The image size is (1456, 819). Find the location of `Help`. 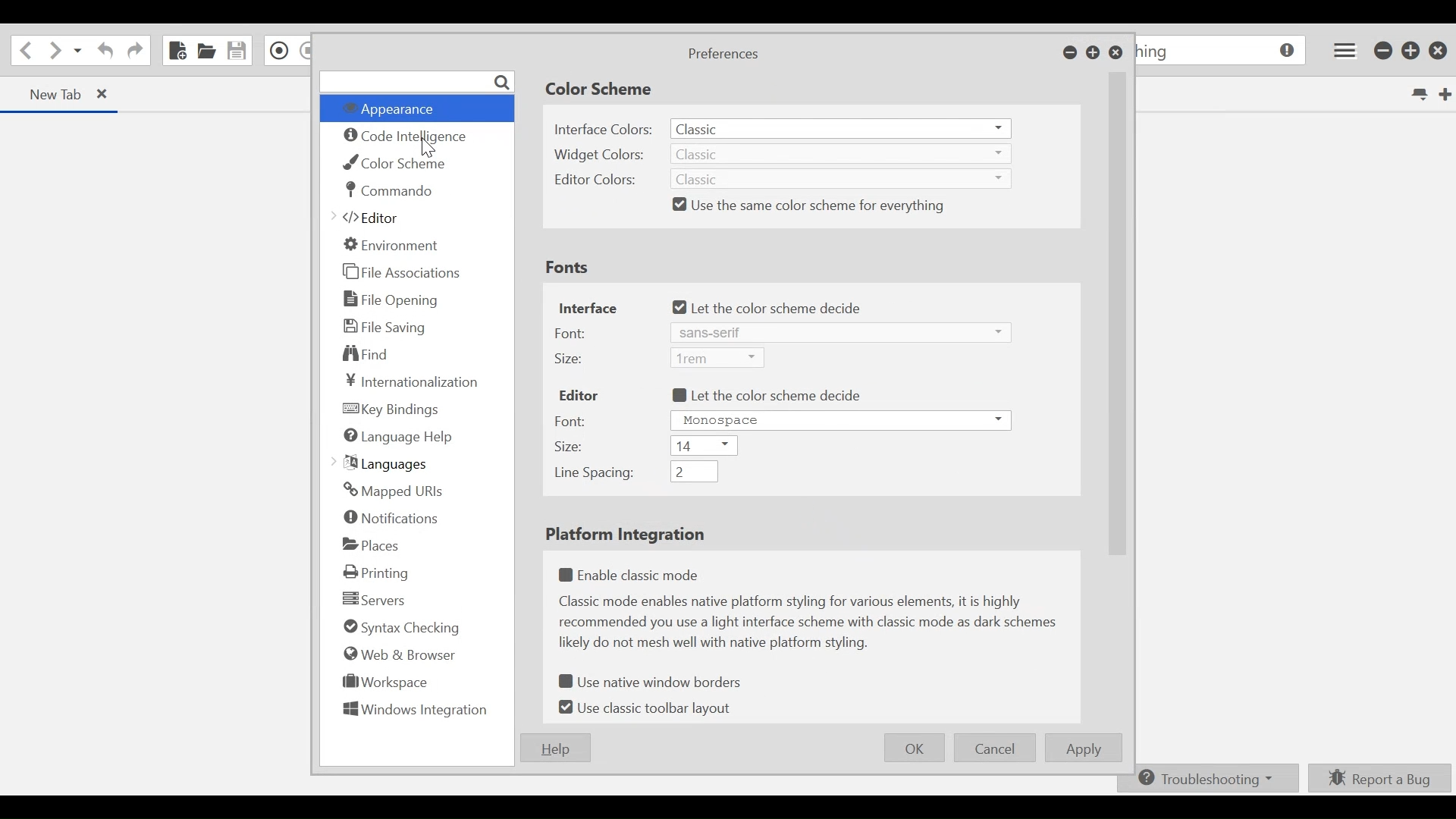

Help is located at coordinates (554, 748).